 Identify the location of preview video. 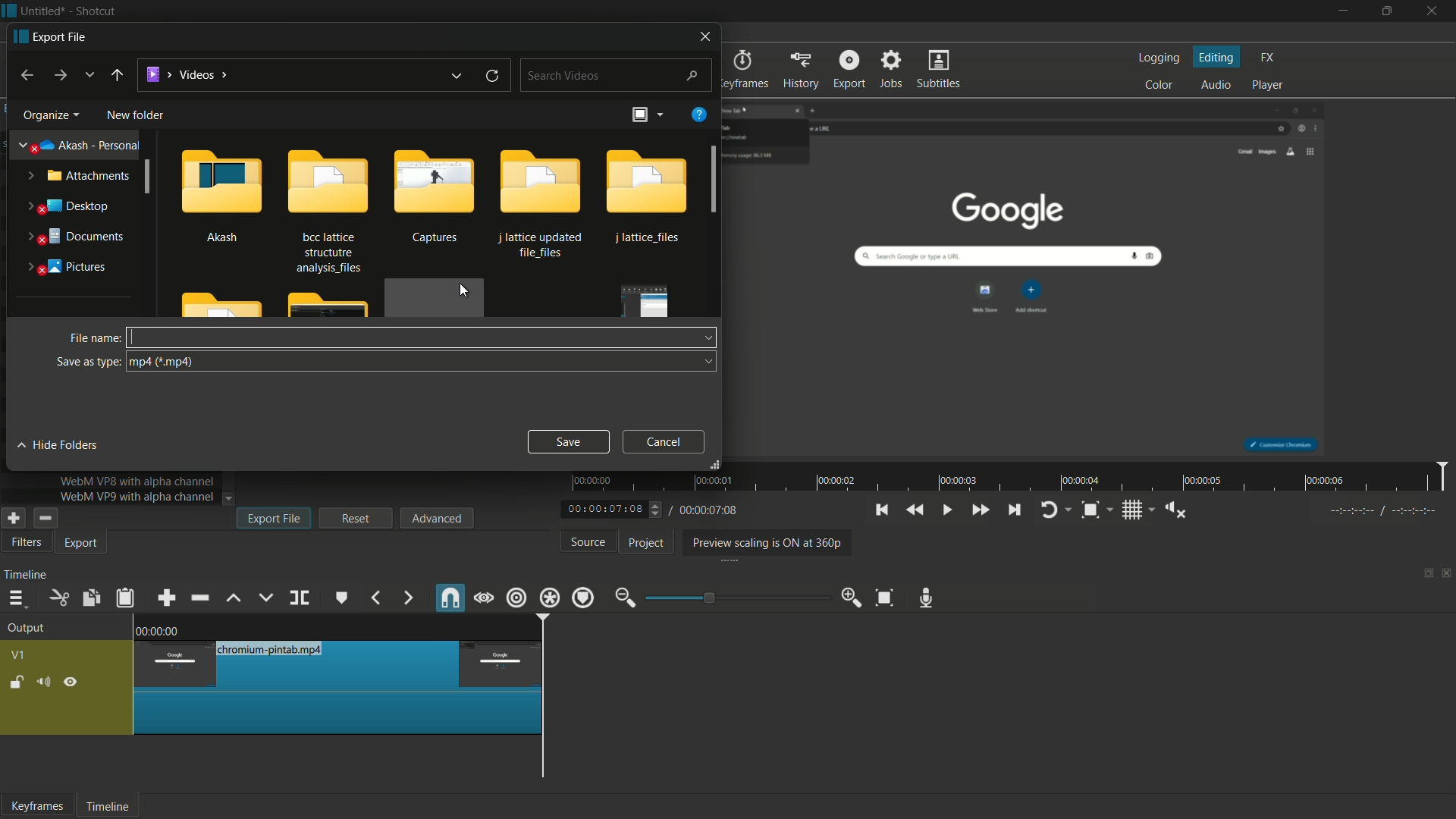
(1031, 275).